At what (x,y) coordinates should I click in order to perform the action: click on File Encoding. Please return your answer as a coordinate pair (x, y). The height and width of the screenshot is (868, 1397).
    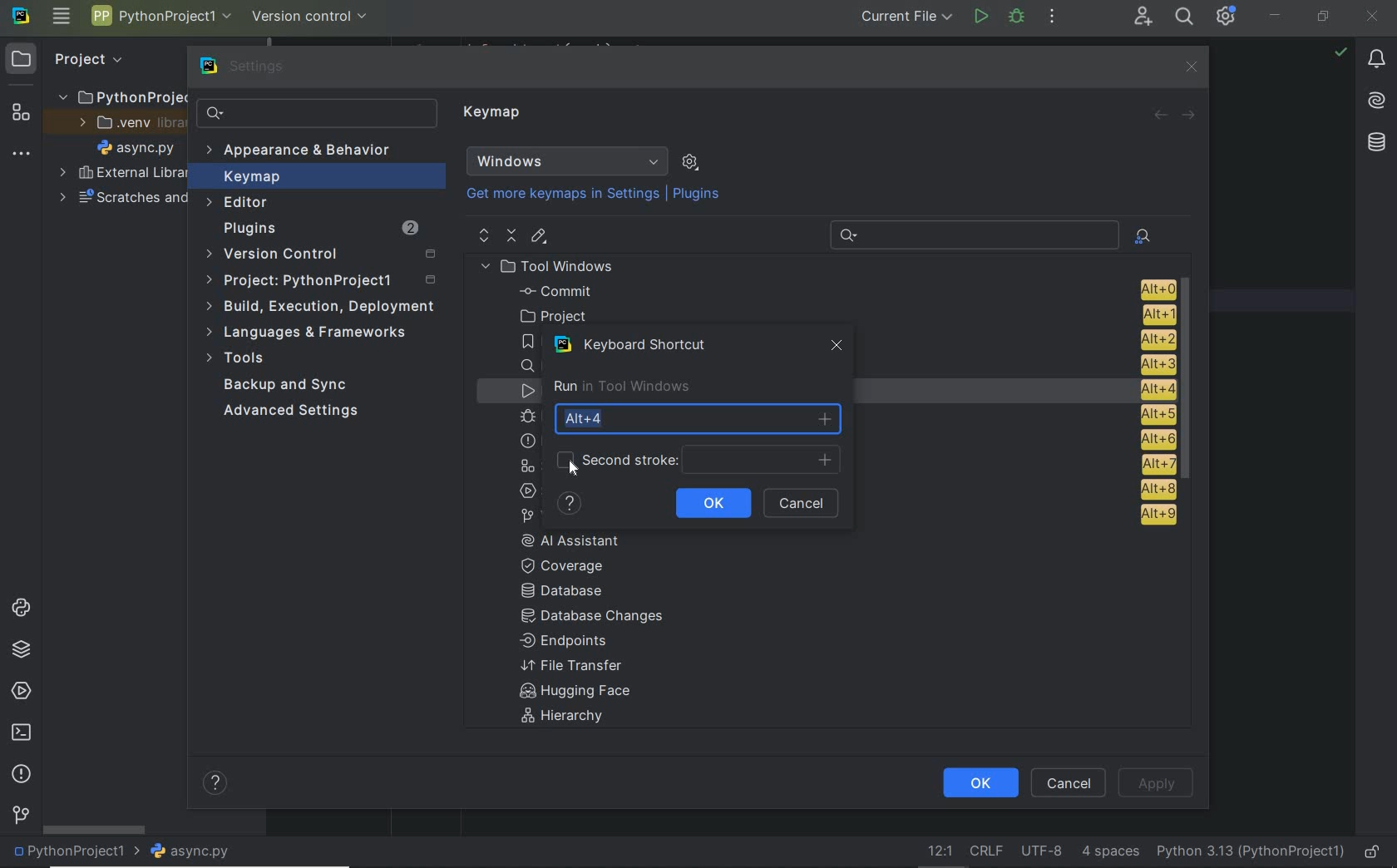
    Looking at the image, I should click on (1043, 852).